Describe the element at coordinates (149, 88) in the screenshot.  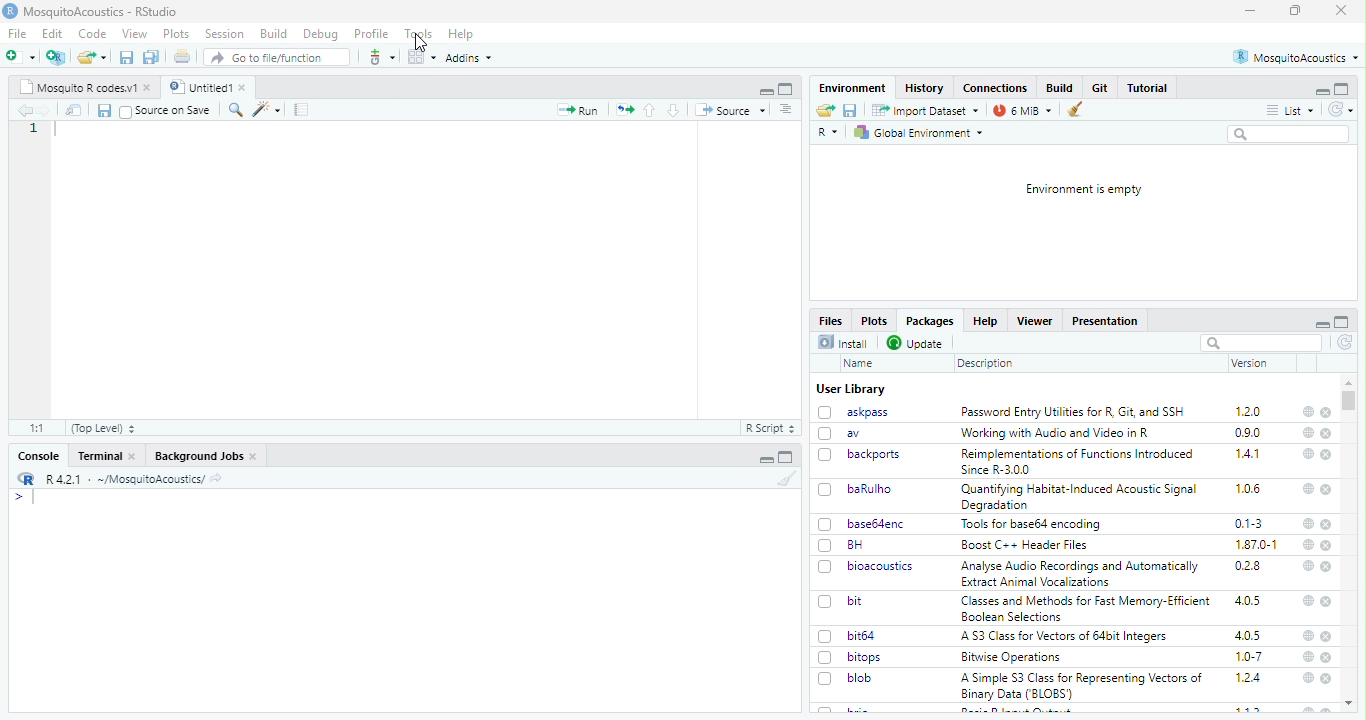
I see `close` at that location.